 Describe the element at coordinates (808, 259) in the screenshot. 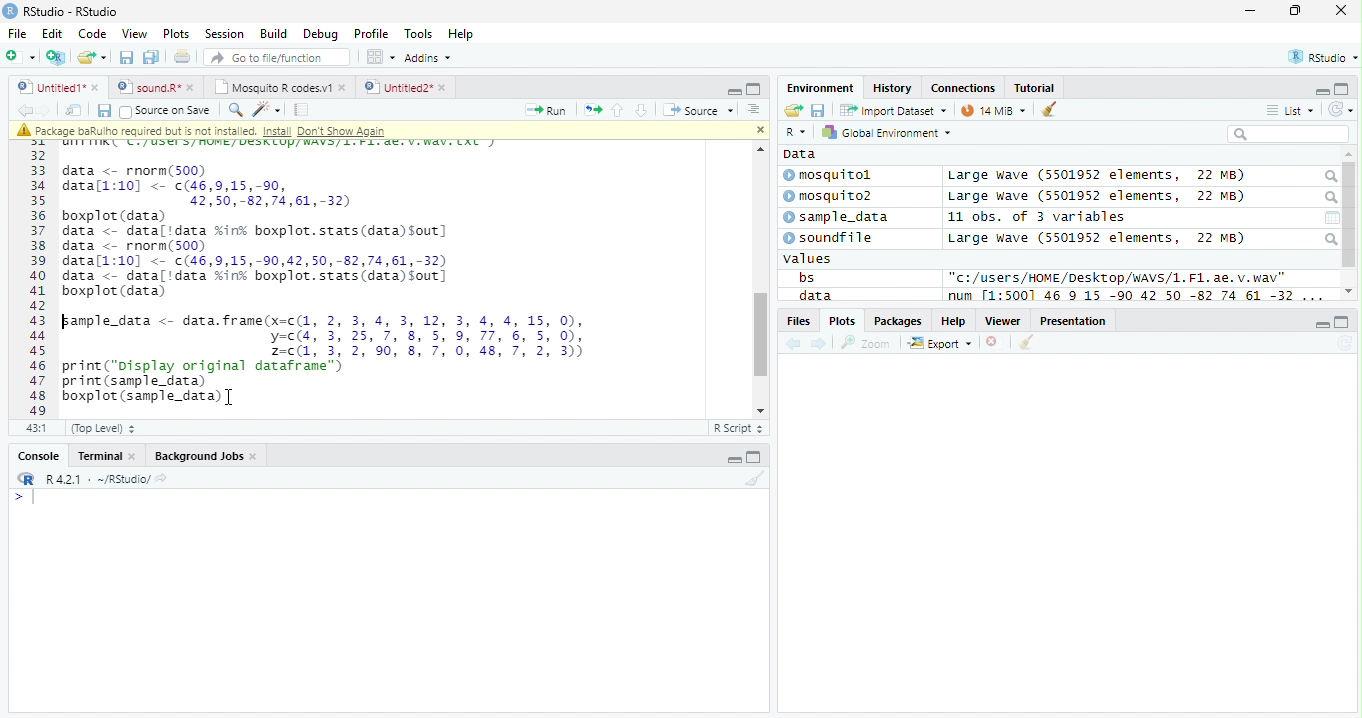

I see `values` at that location.